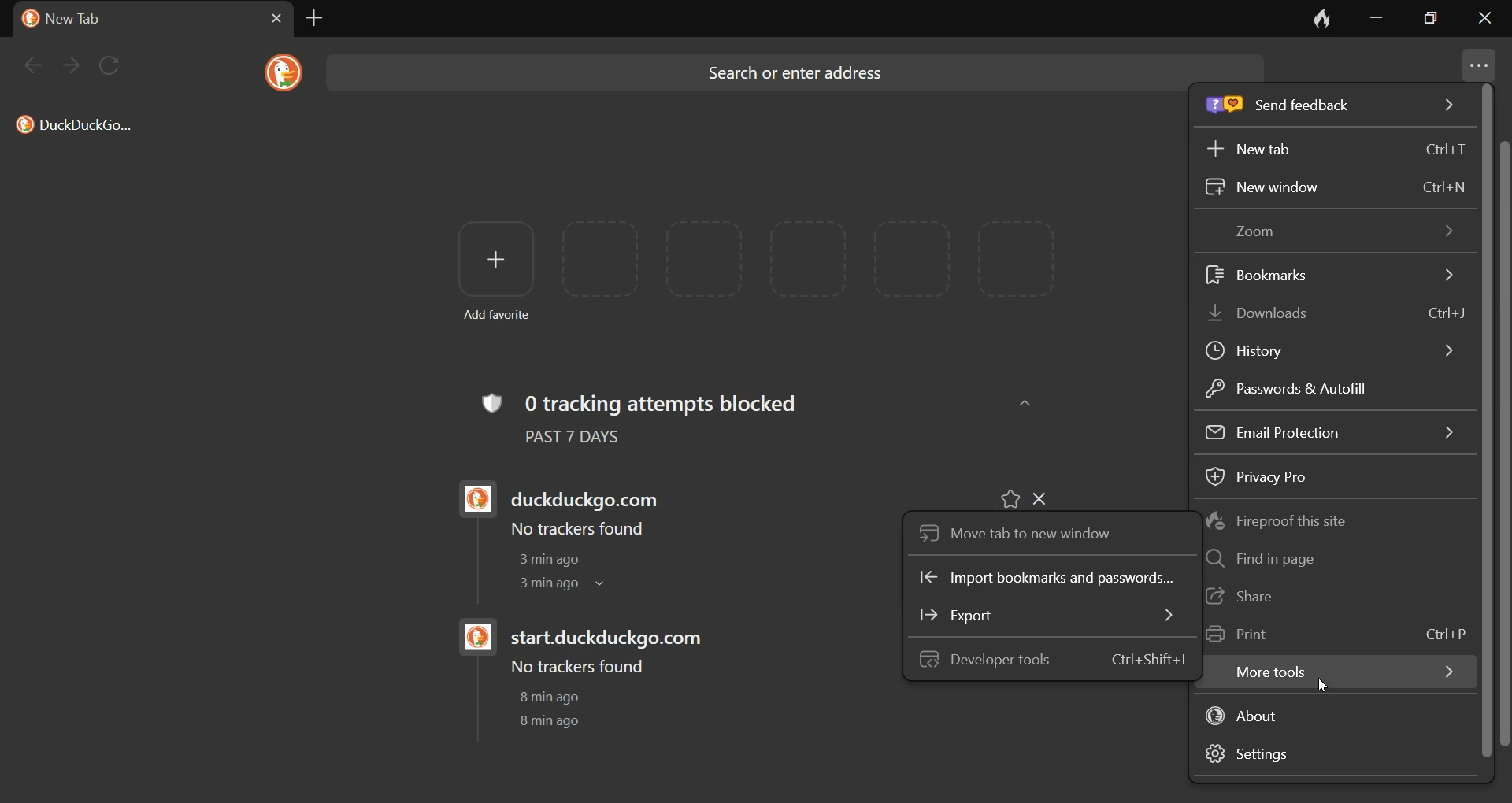 Image resolution: width=1512 pixels, height=803 pixels. I want to click on favorites, so click(1010, 495).